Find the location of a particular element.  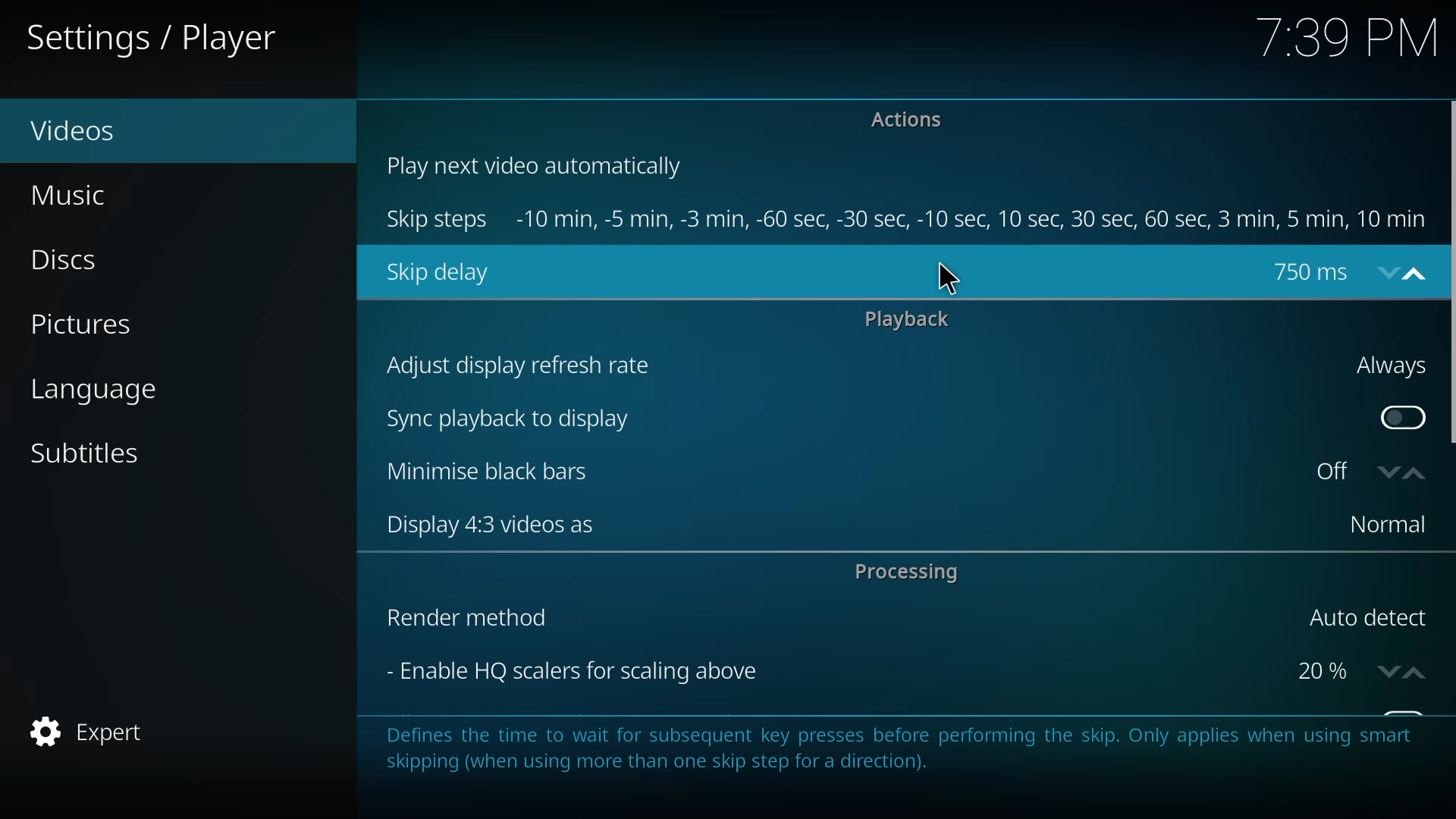

render method is located at coordinates (464, 617).